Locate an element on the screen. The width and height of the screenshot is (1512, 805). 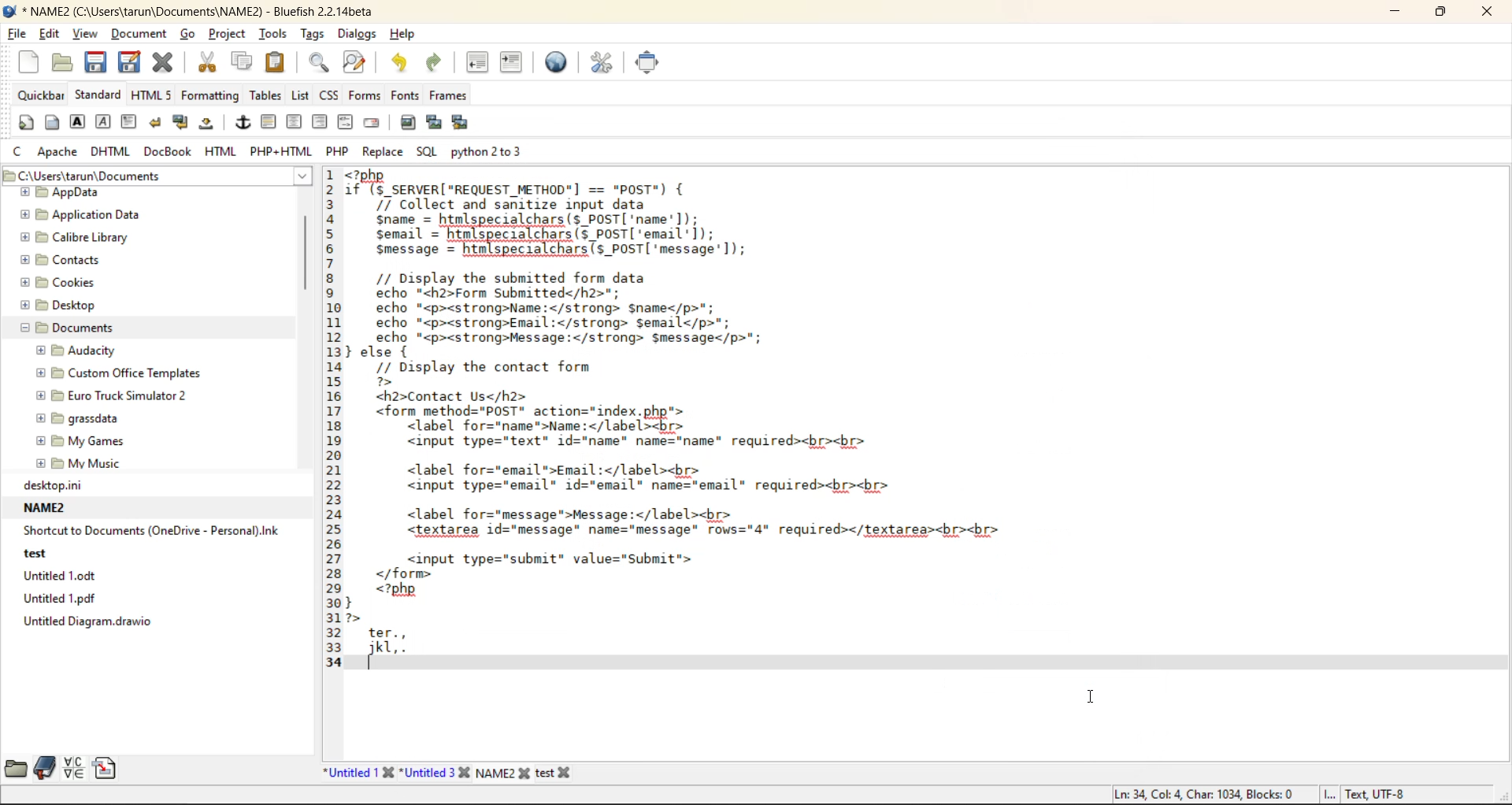
paste is located at coordinates (280, 63).